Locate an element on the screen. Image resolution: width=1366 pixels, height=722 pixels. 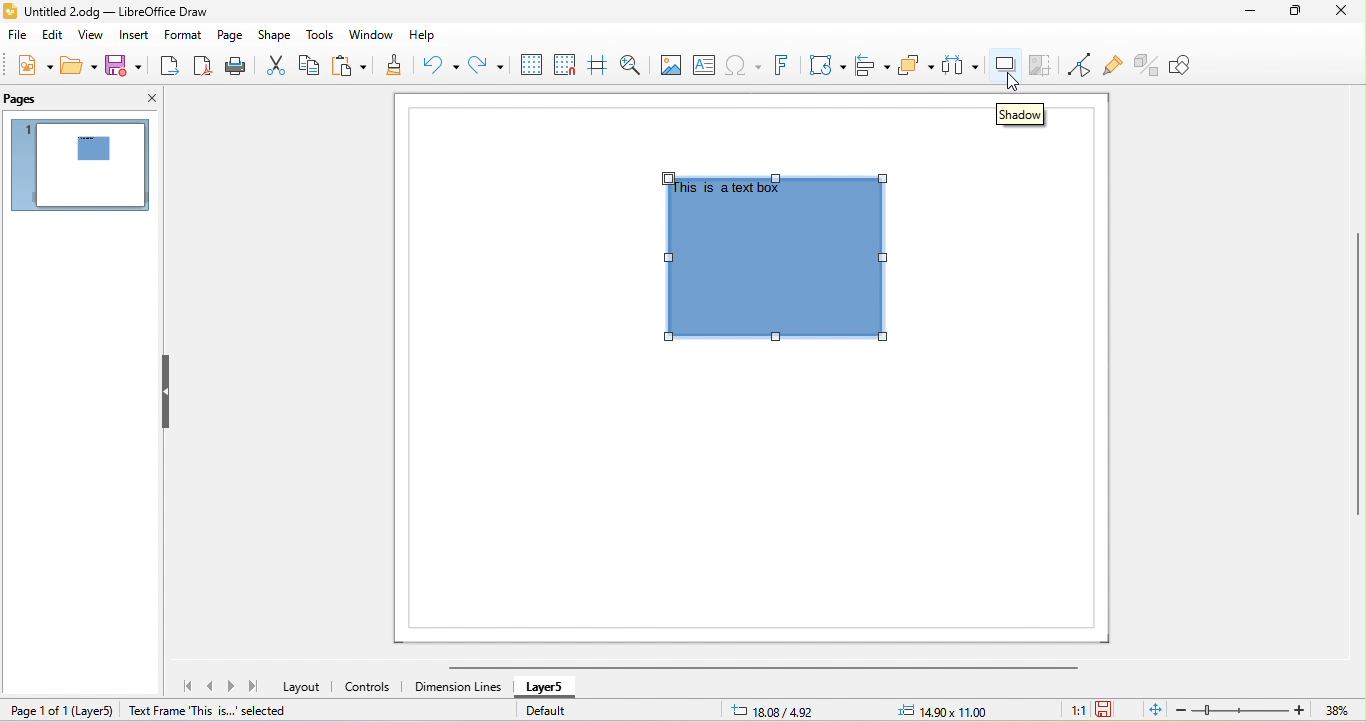
18.08/4.92 is located at coordinates (776, 710).